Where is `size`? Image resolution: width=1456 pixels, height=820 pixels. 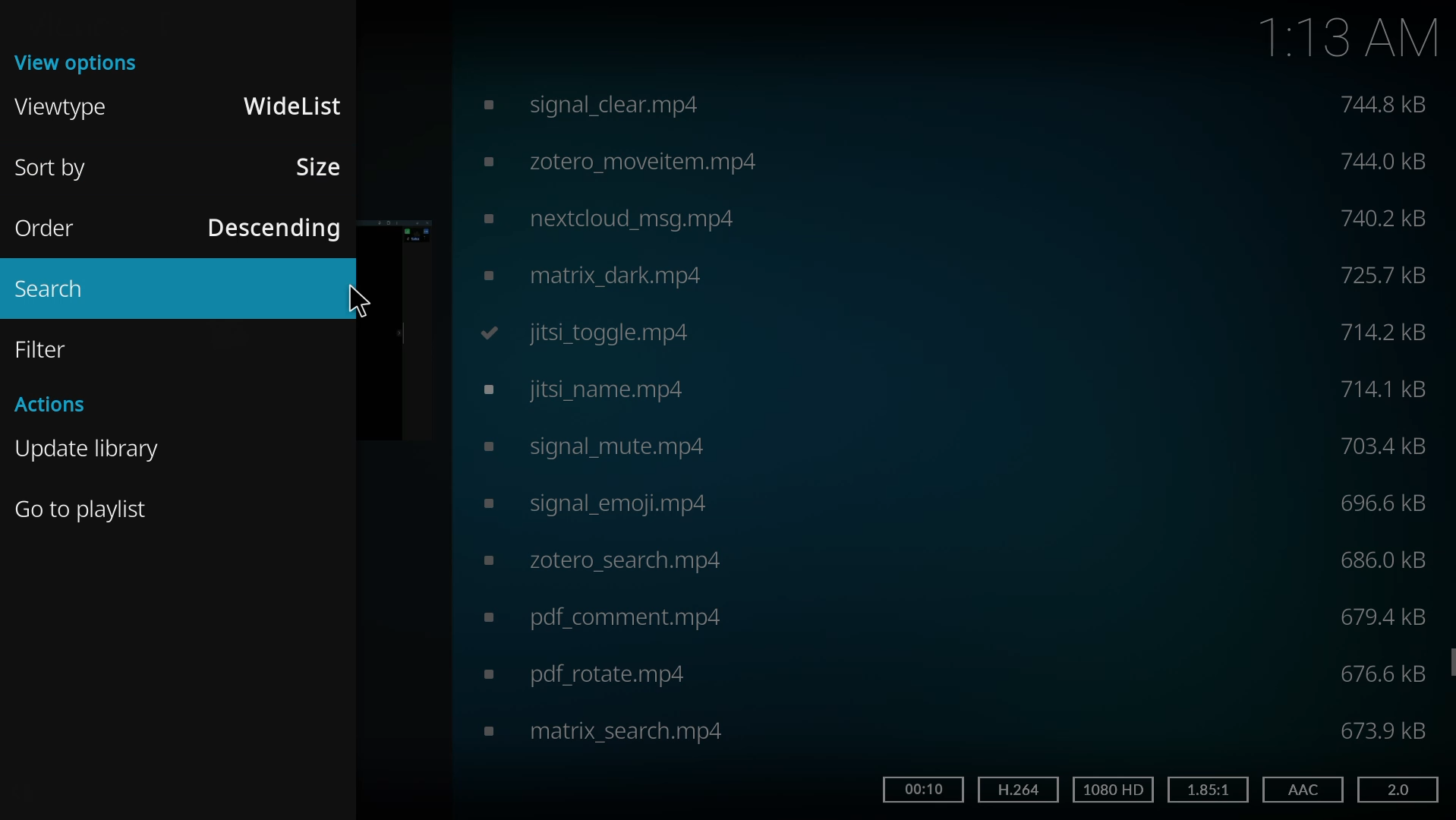
size is located at coordinates (1388, 674).